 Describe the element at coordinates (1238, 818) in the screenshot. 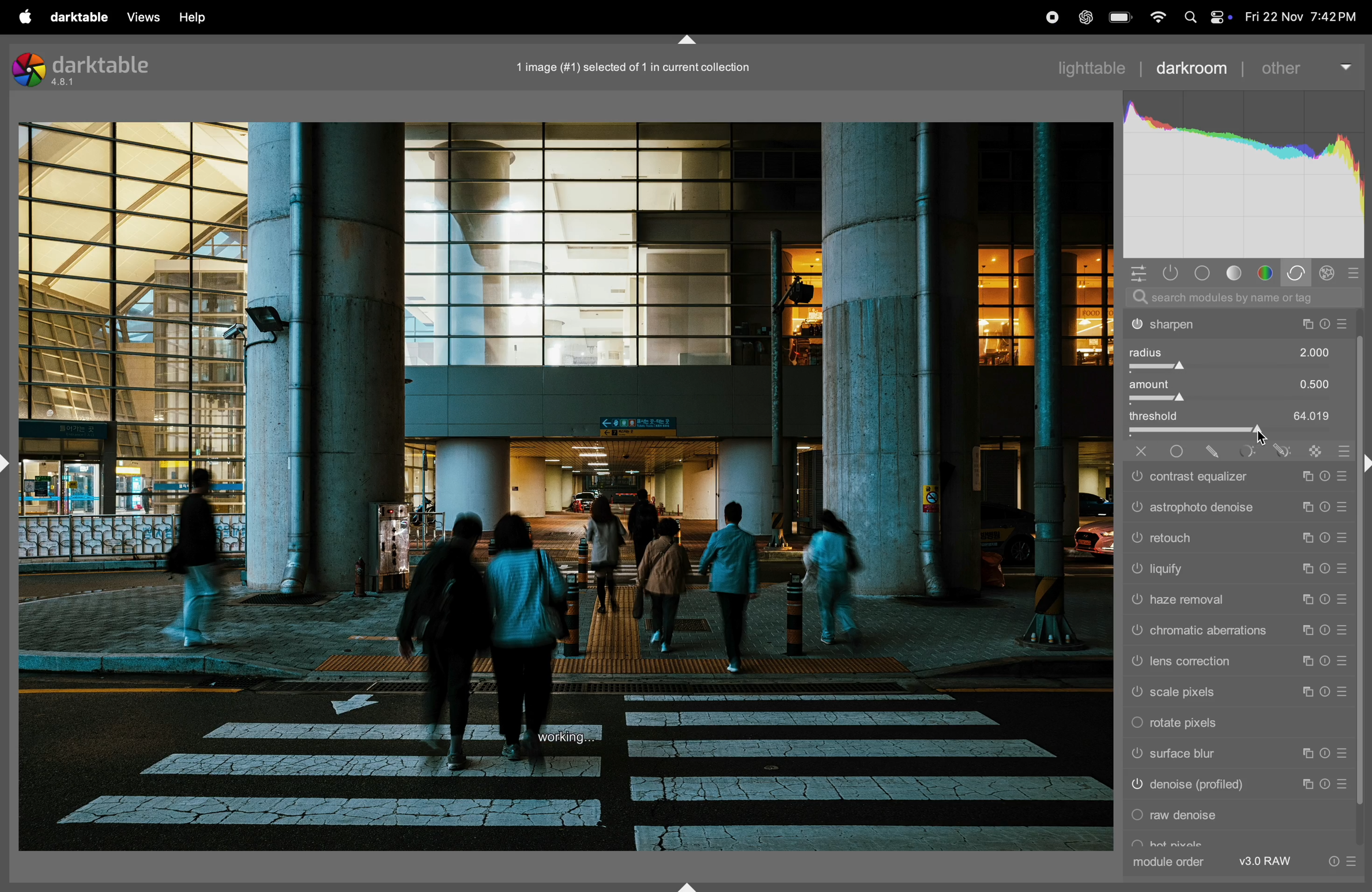

I see `raw denoise` at that location.